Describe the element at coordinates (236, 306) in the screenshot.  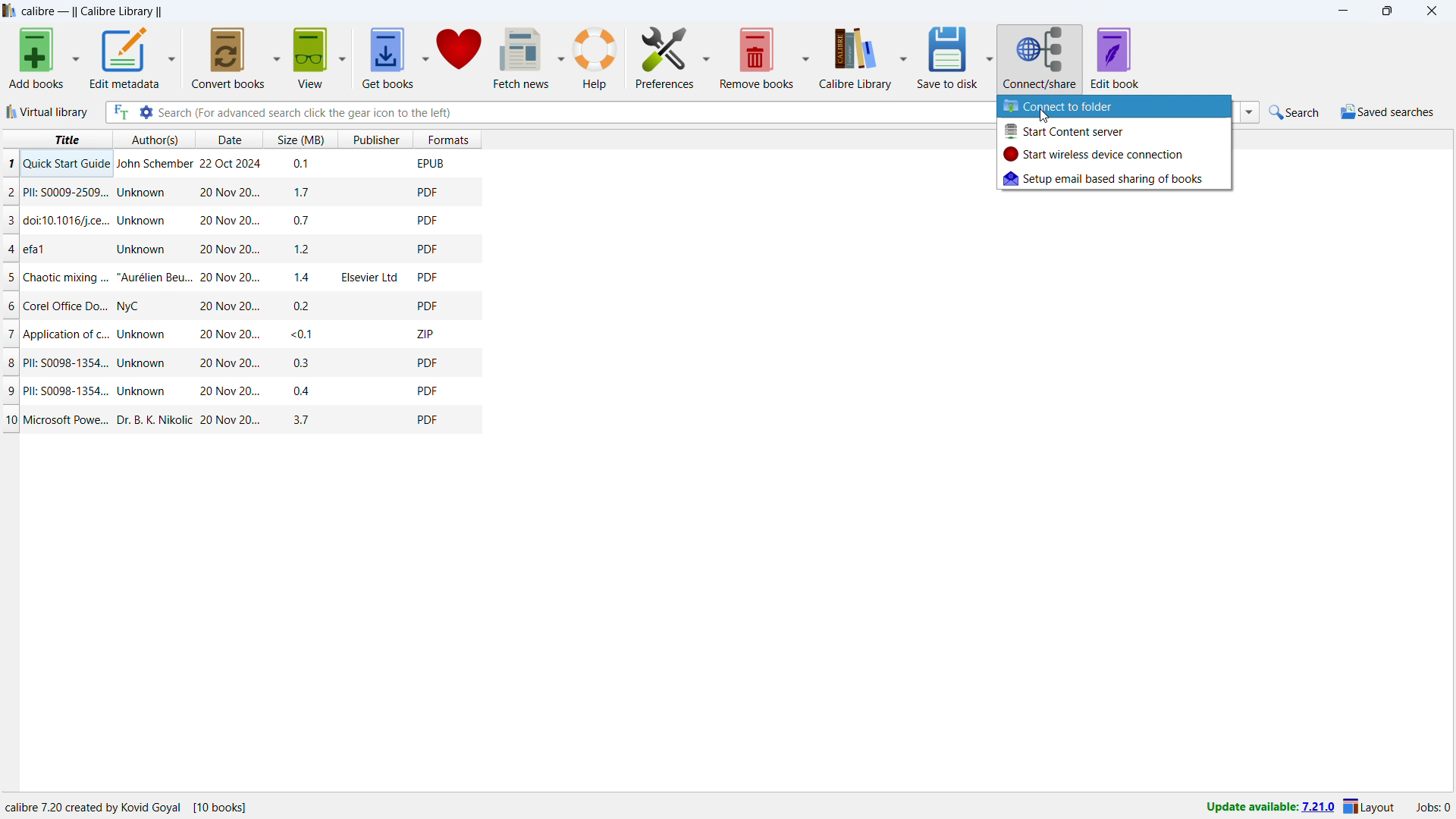
I see `one book entry` at that location.